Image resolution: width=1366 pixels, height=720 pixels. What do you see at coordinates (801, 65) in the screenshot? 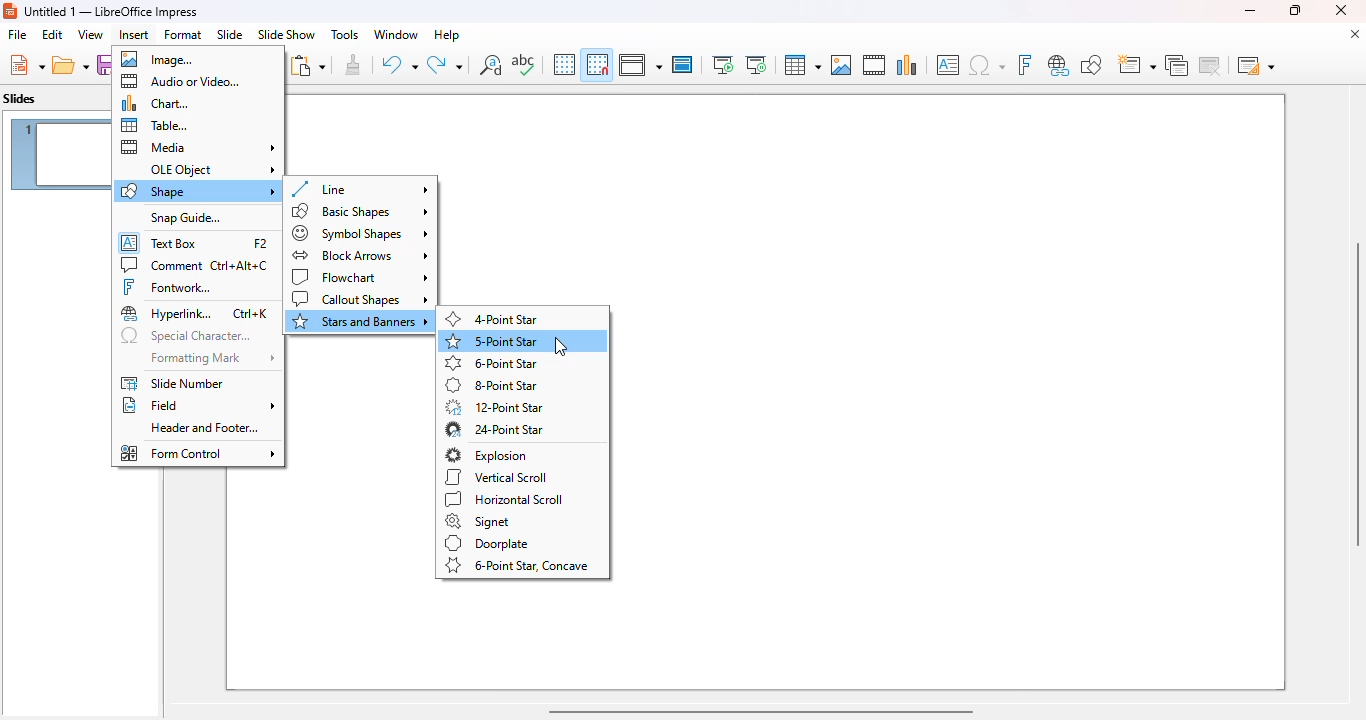
I see `table` at bounding box center [801, 65].